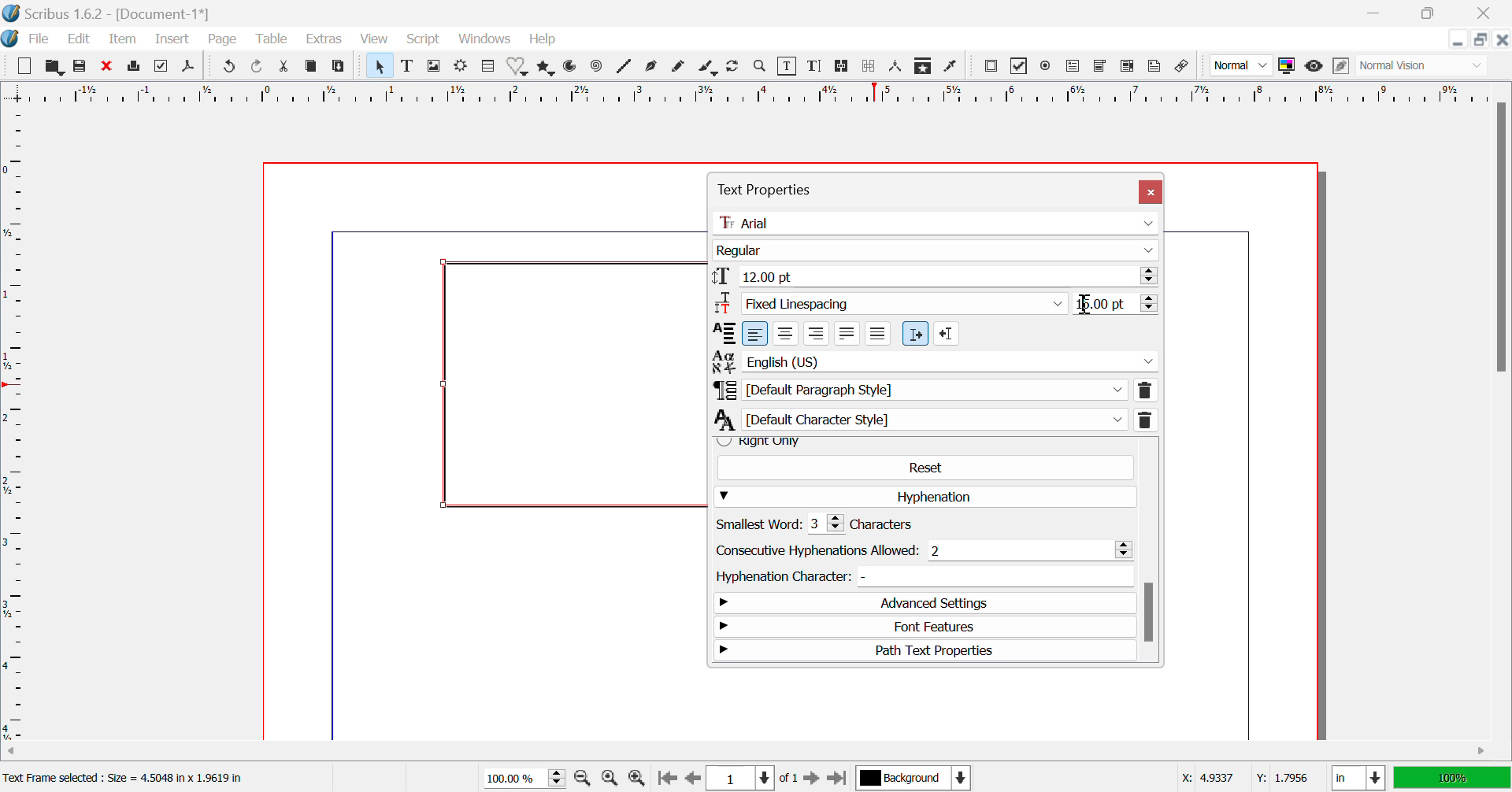 This screenshot has width=1512, height=792. Describe the element at coordinates (1020, 65) in the screenshot. I see `PDF checkbox` at that location.